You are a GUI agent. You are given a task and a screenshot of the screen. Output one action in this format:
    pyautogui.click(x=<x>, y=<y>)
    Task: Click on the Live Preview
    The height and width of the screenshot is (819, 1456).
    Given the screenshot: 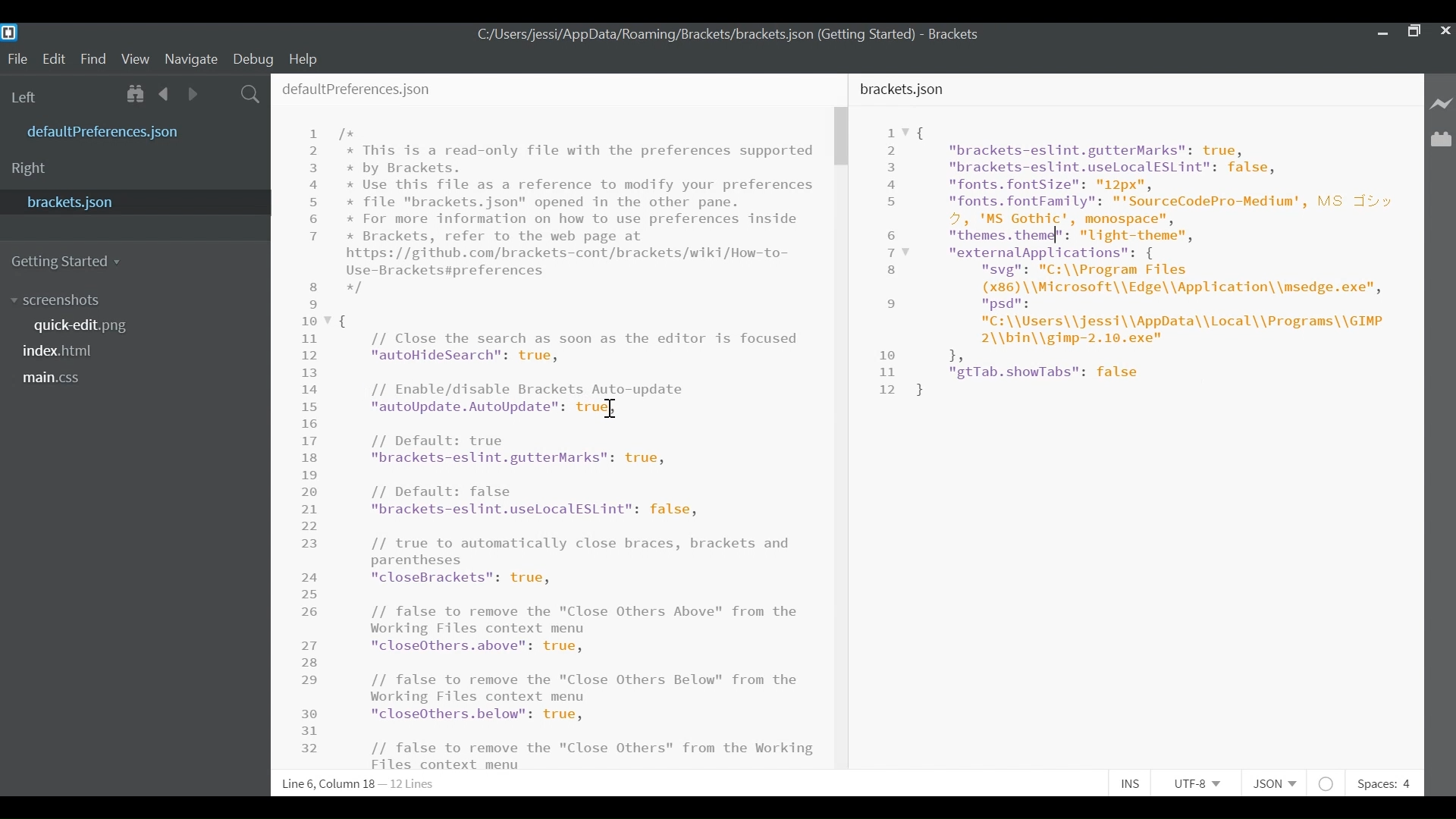 What is the action you would take?
    pyautogui.click(x=1439, y=102)
    